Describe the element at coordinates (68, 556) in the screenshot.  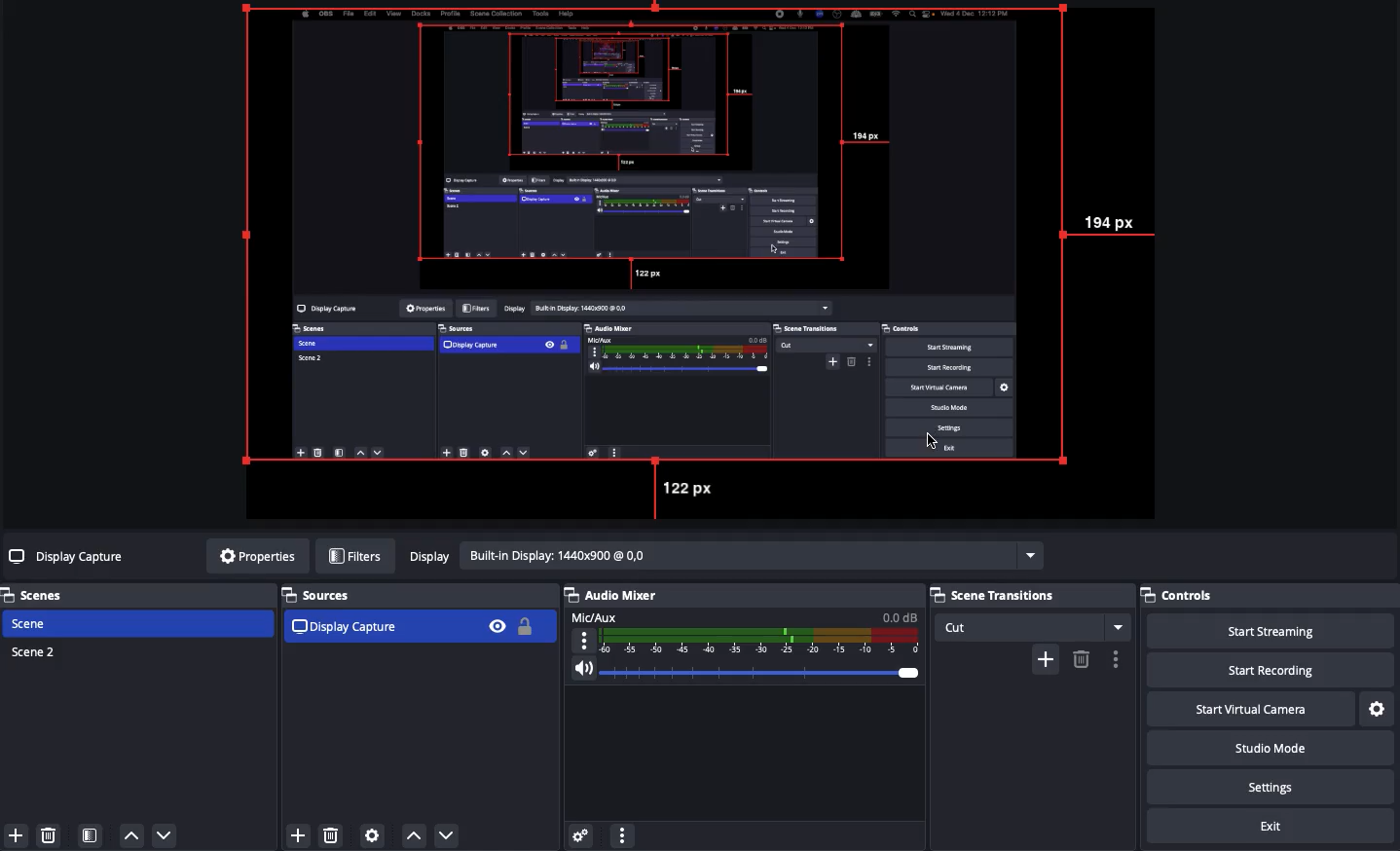
I see `No sources selected` at that location.